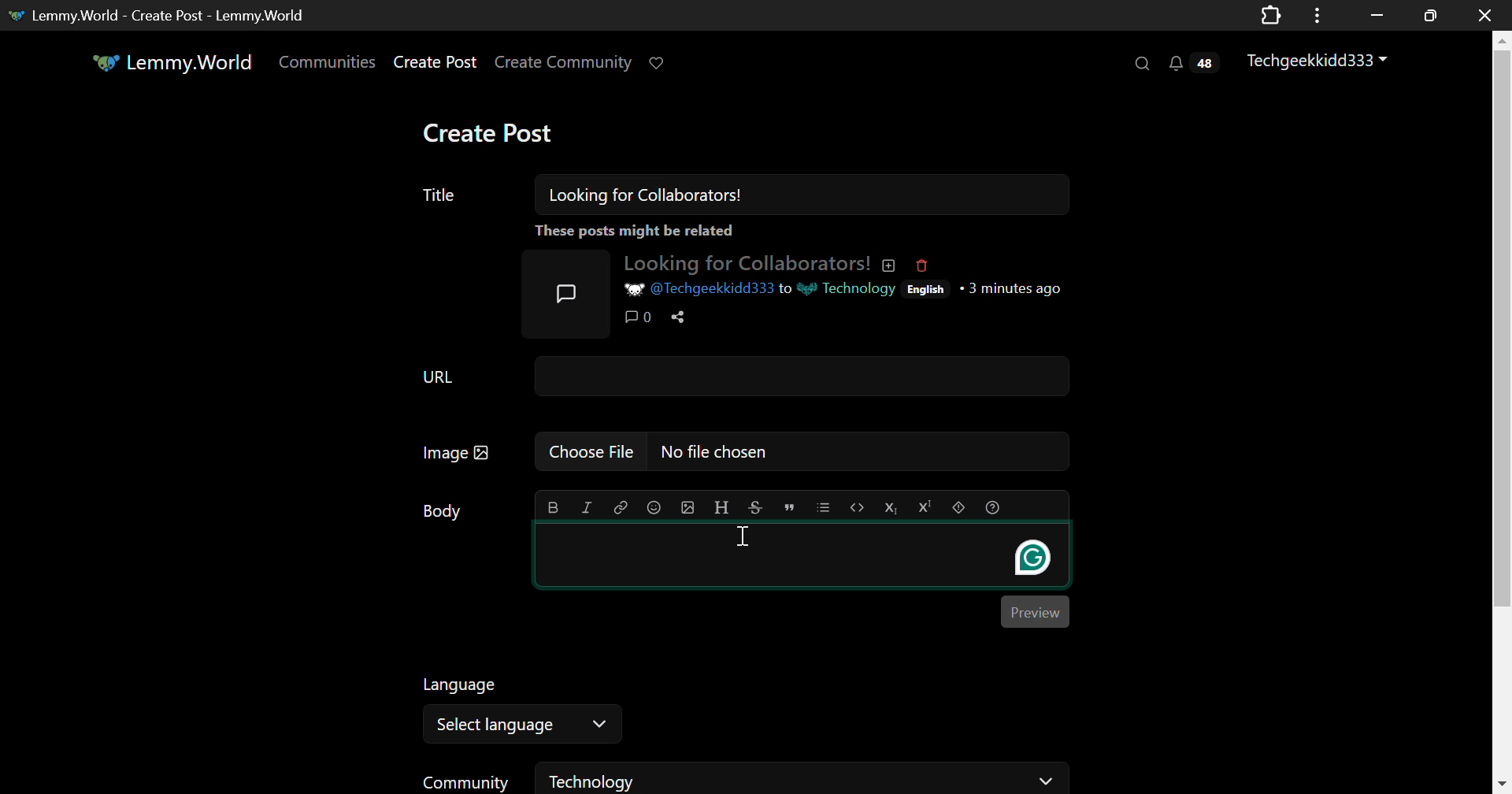 This screenshot has height=794, width=1512. Describe the element at coordinates (654, 507) in the screenshot. I see `emoji` at that location.